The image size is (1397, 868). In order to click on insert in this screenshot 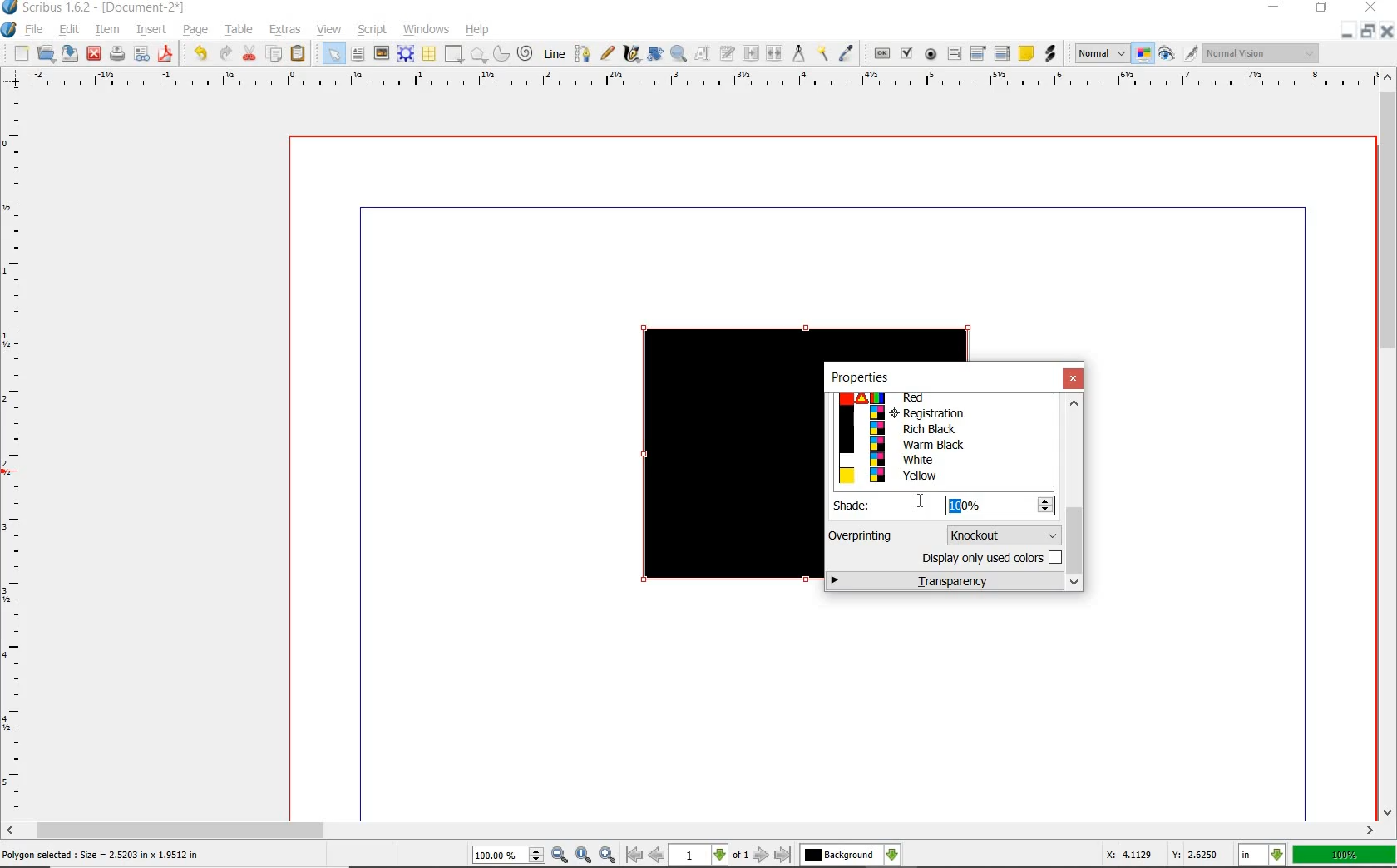, I will do `click(154, 29)`.